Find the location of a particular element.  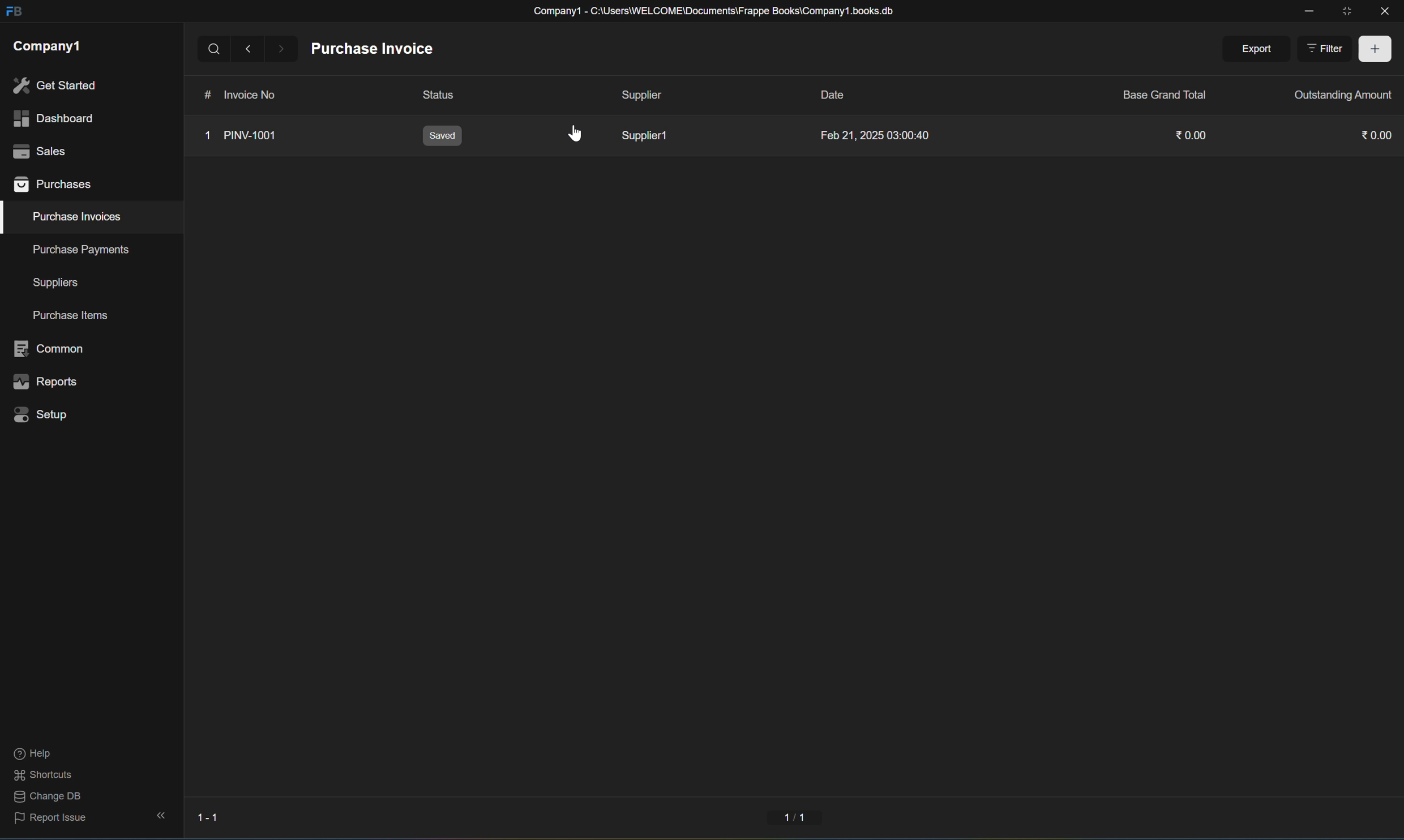

status is located at coordinates (433, 97).